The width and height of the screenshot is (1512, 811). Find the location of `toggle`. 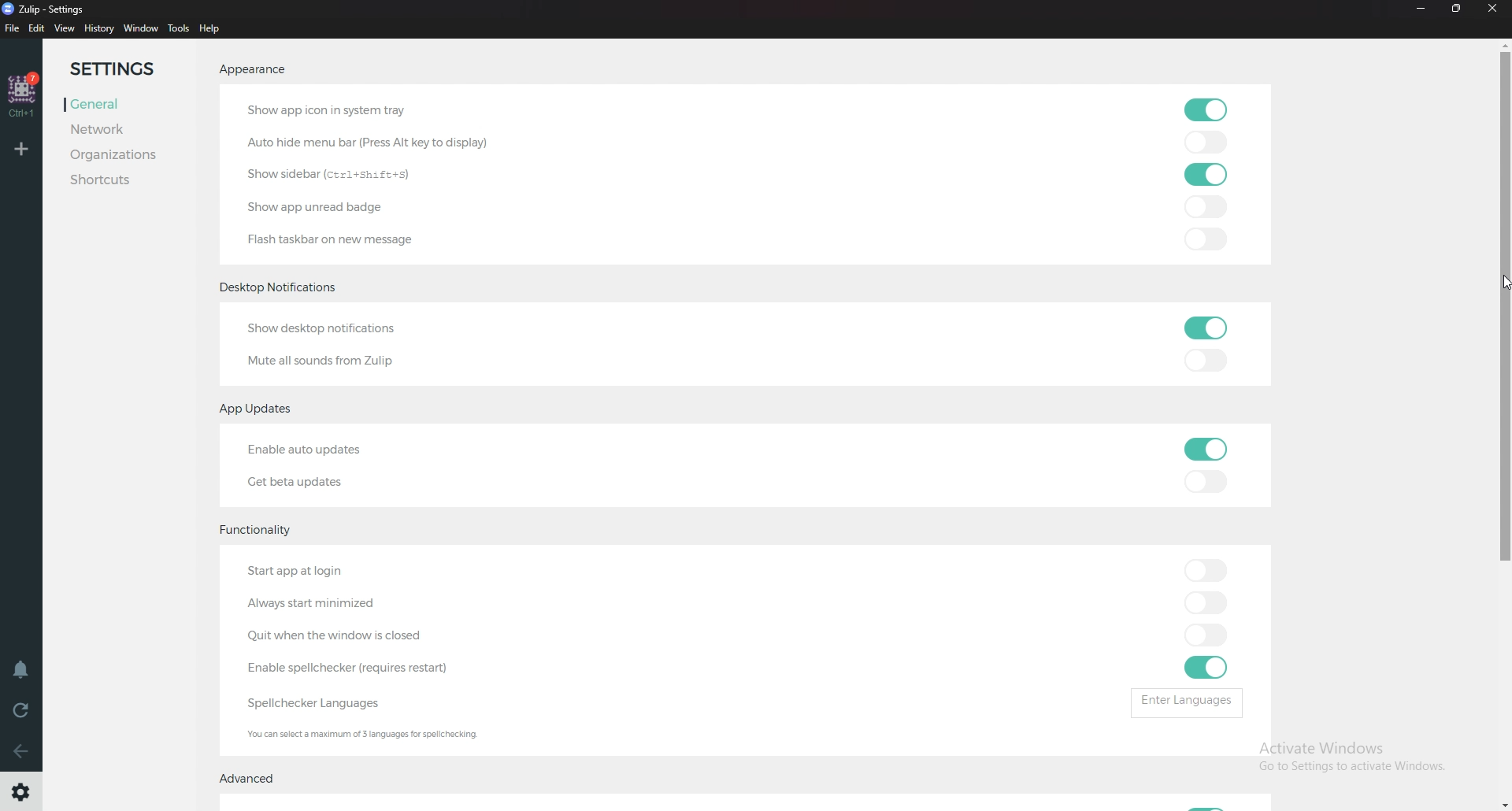

toggle is located at coordinates (1208, 237).